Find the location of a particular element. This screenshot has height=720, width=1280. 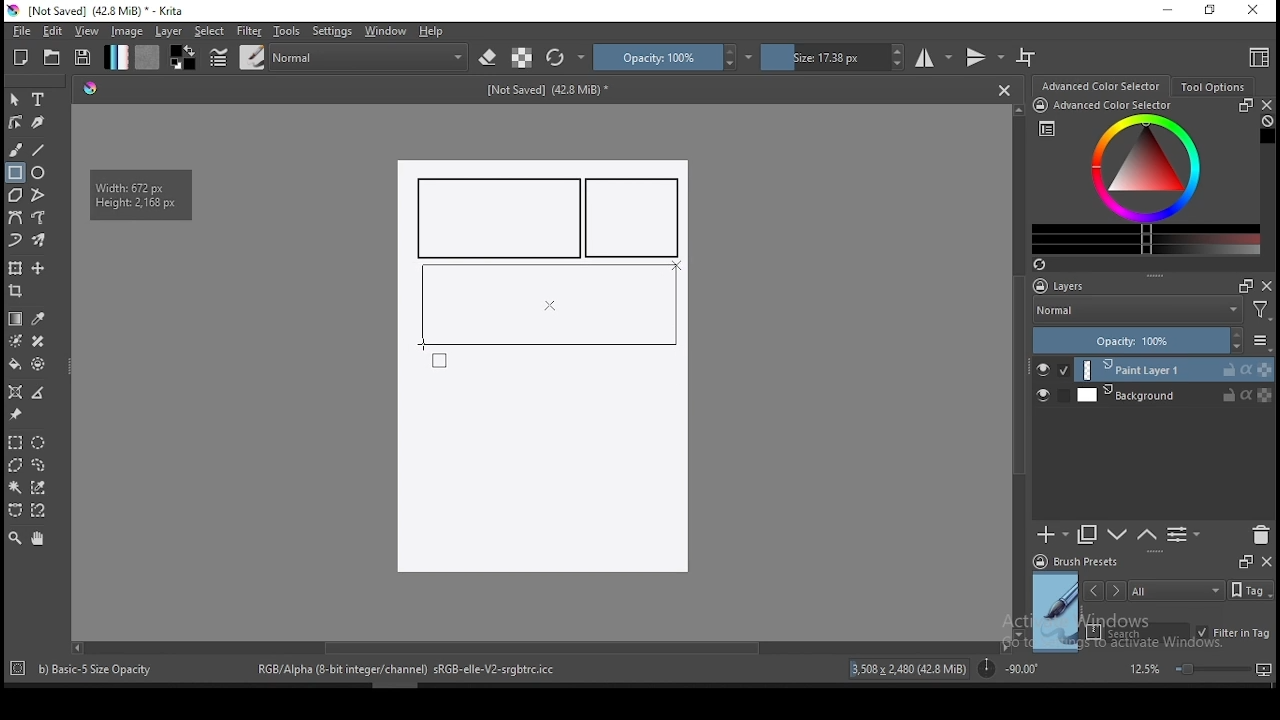

wrap around mode is located at coordinates (1027, 57).